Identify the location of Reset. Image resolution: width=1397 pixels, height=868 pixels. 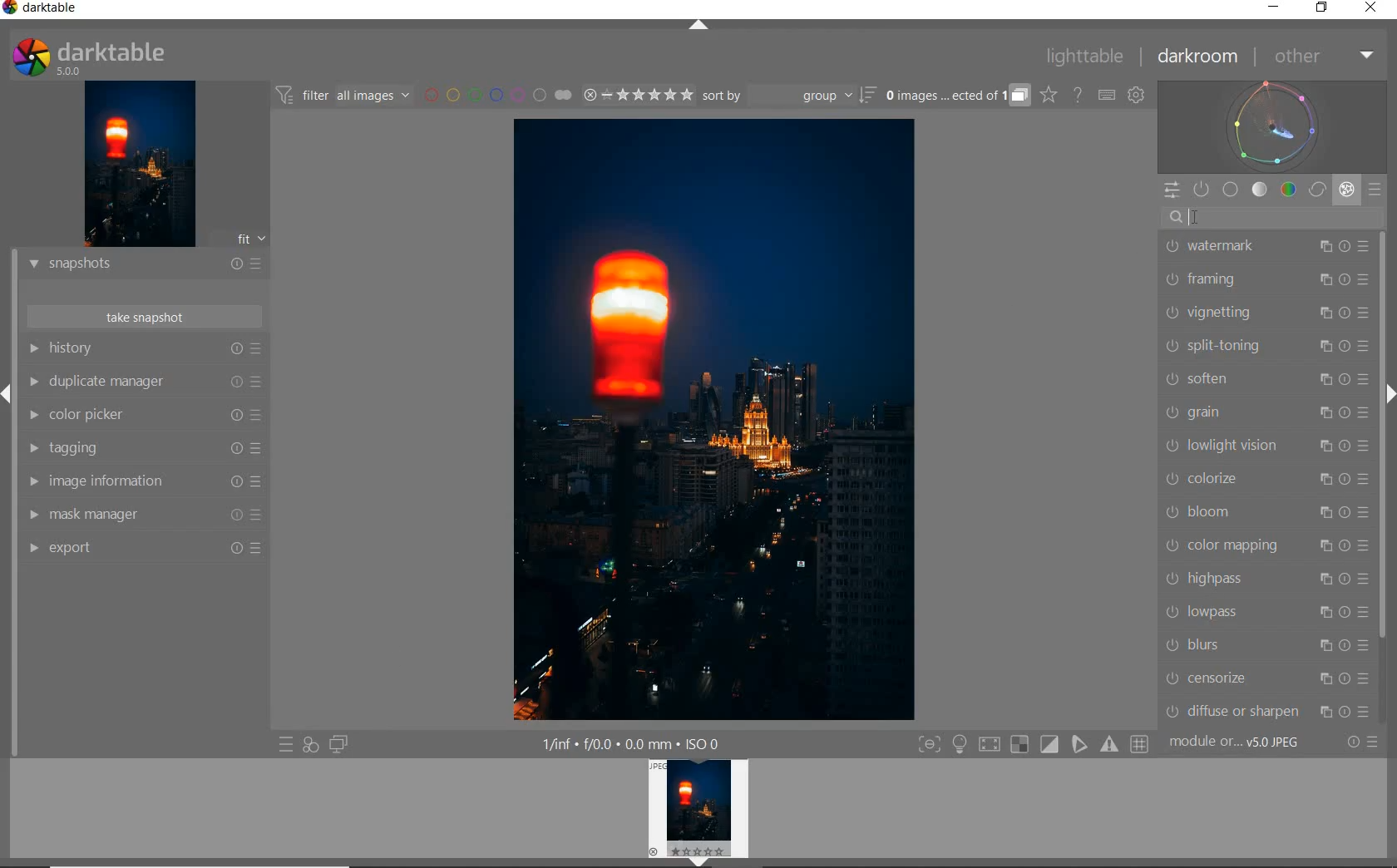
(1345, 709).